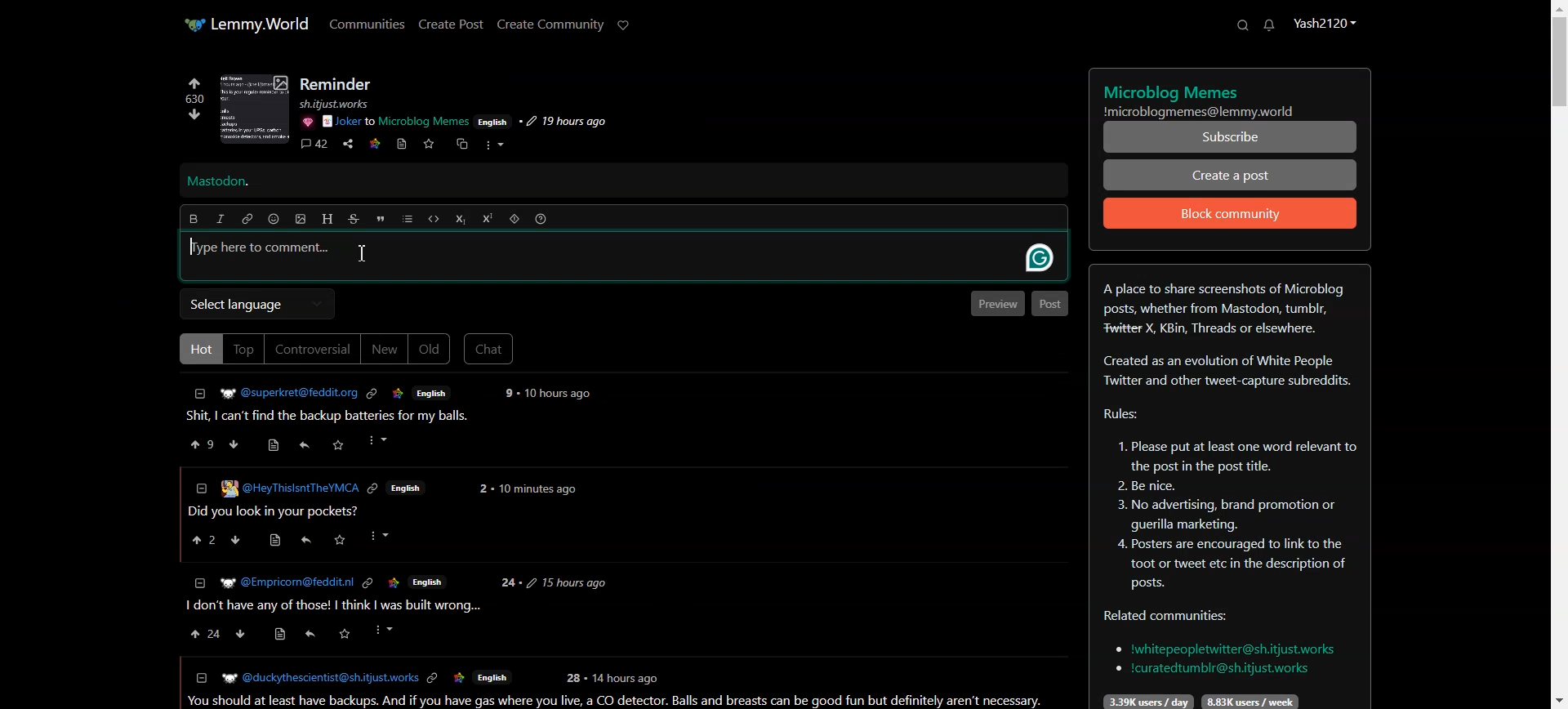 The image size is (1568, 709). I want to click on English, so click(432, 392).